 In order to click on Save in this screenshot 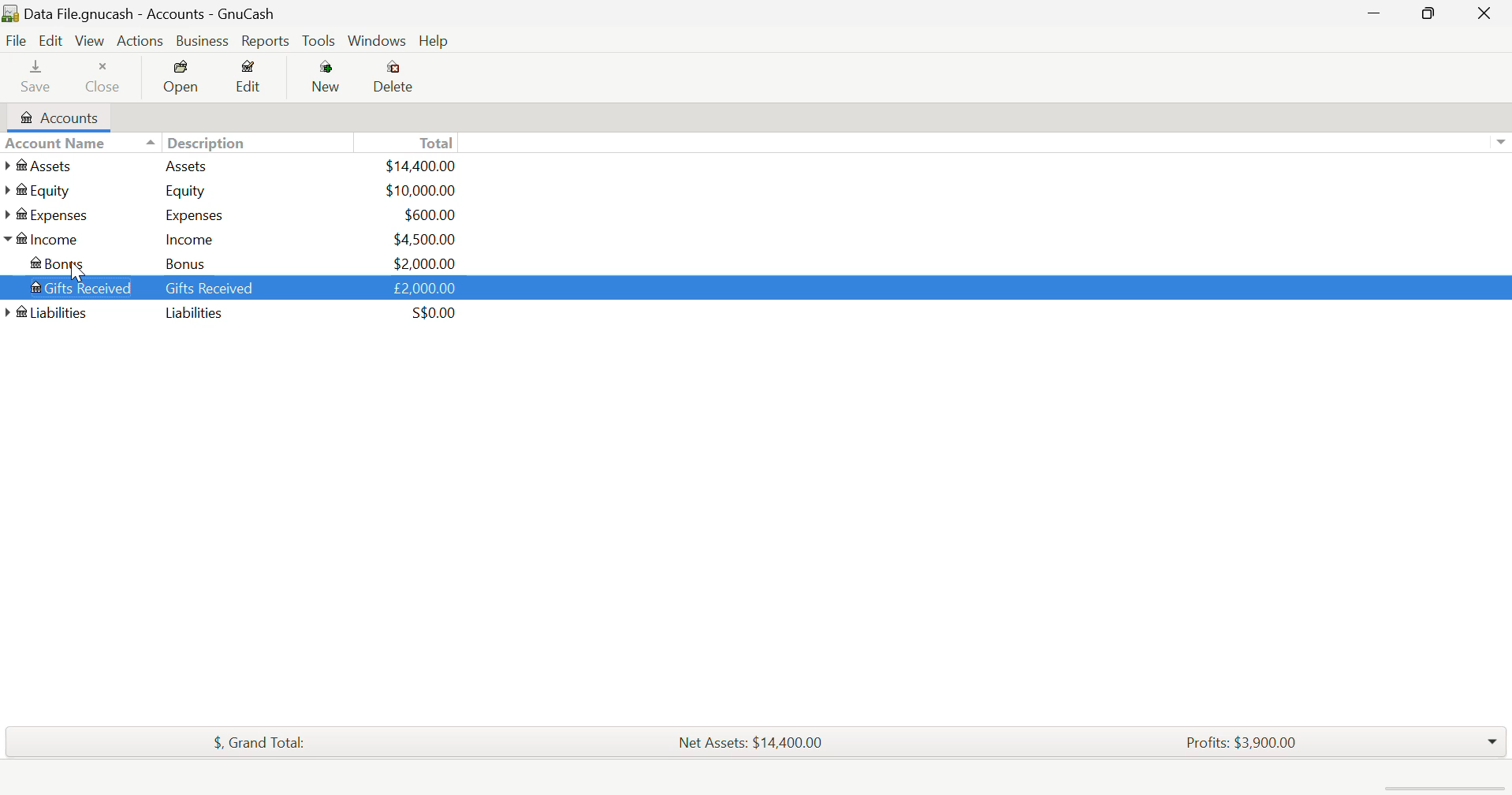, I will do `click(37, 75)`.